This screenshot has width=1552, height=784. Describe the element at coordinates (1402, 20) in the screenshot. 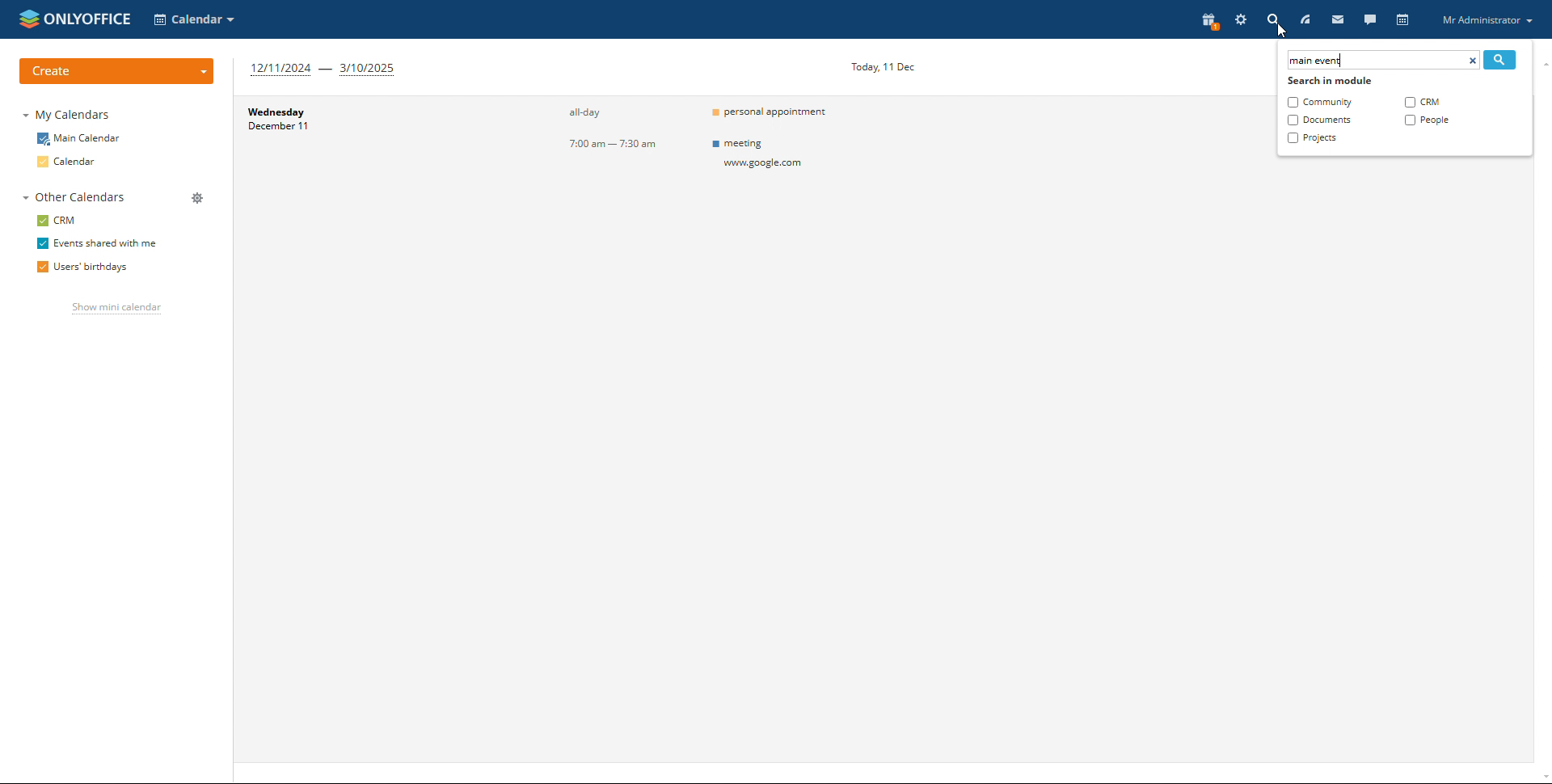

I see `calendar` at that location.